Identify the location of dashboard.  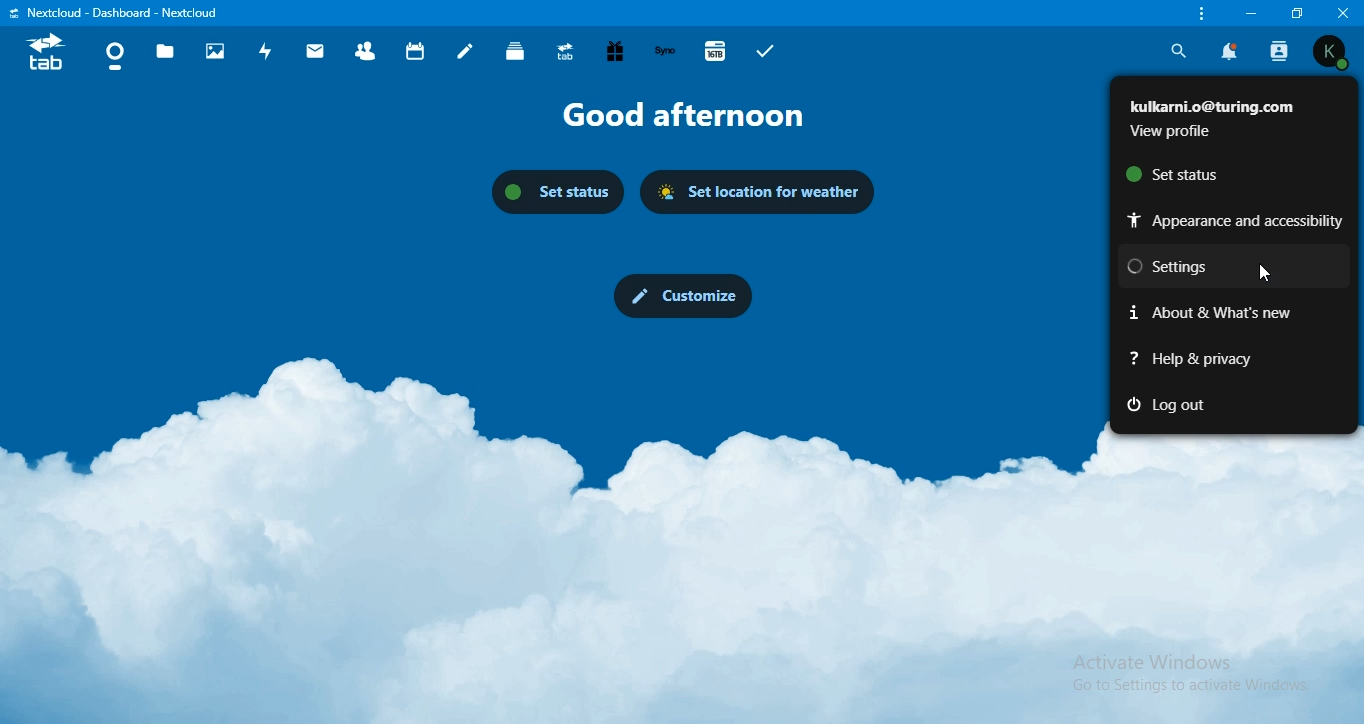
(113, 53).